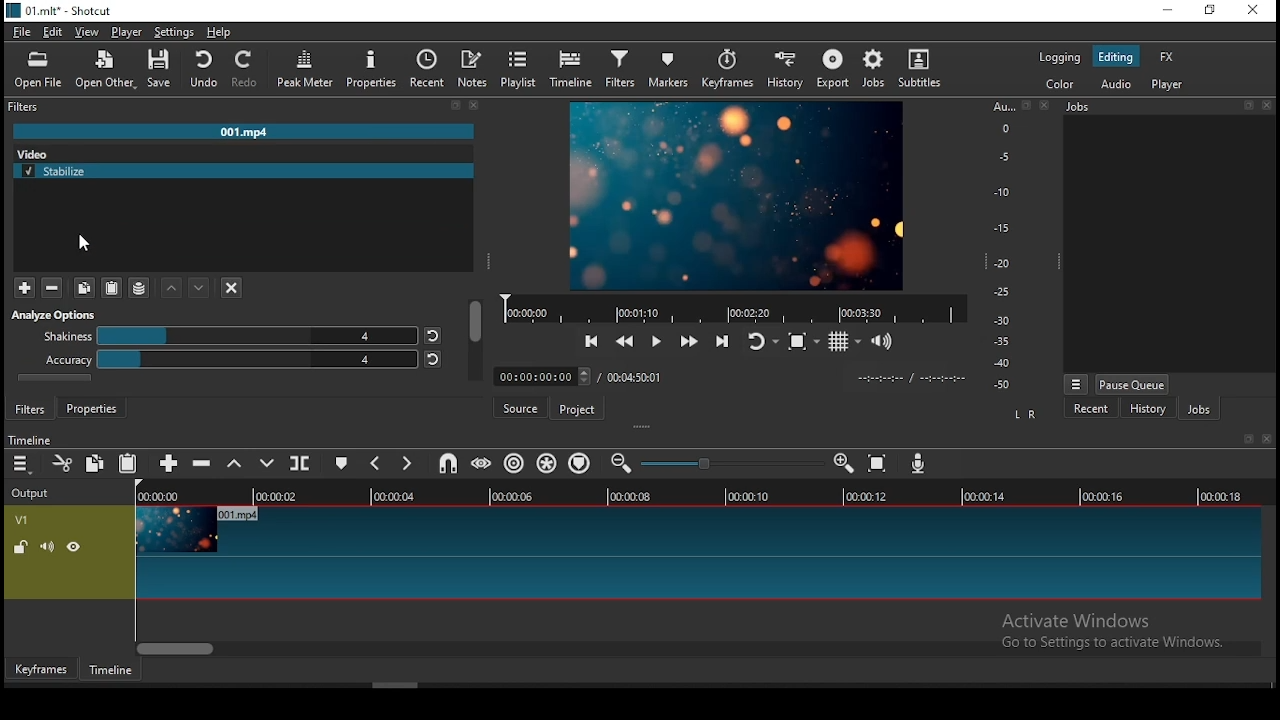 Image resolution: width=1280 pixels, height=720 pixels. What do you see at coordinates (885, 340) in the screenshot?
I see `show volume control` at bounding box center [885, 340].